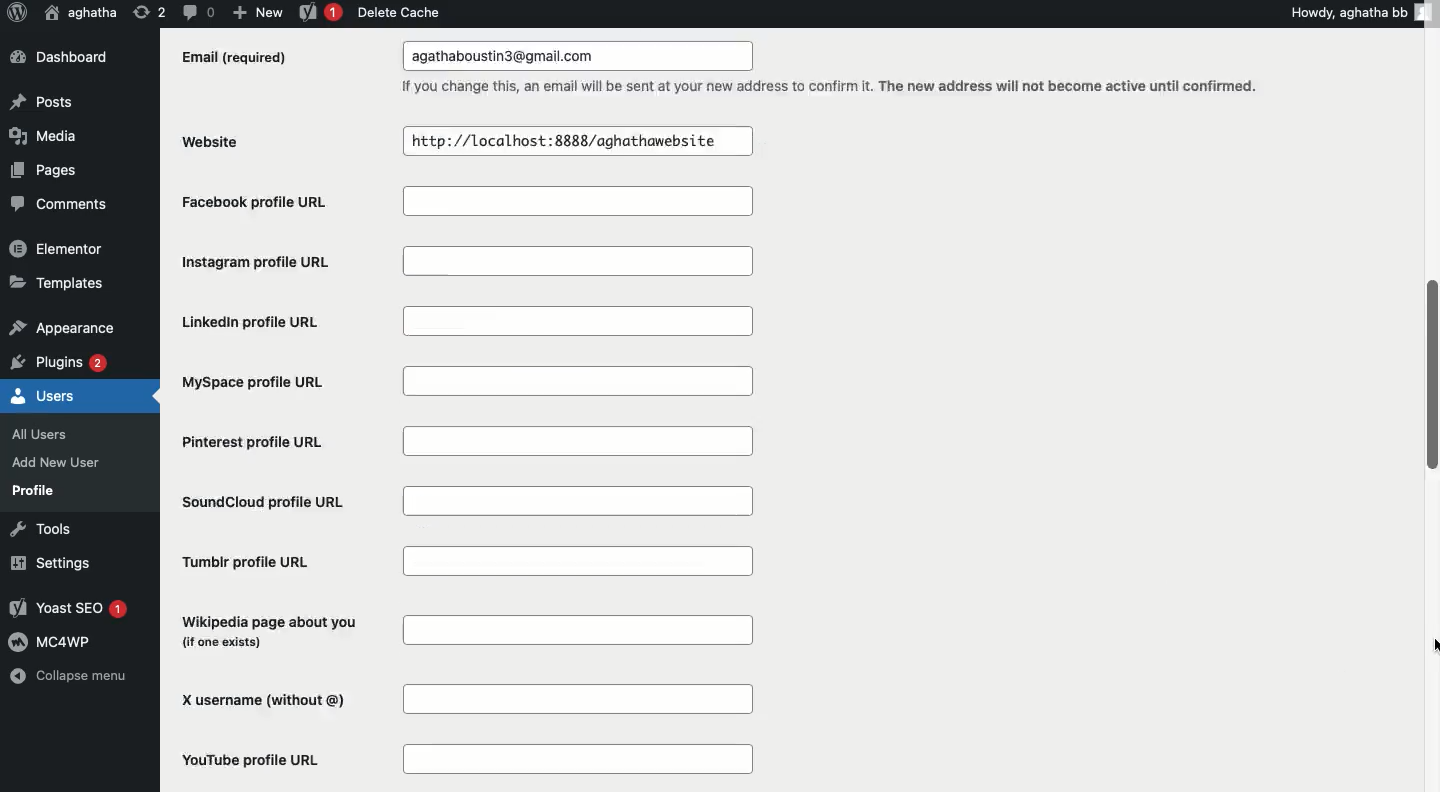 This screenshot has height=792, width=1440. Describe the element at coordinates (47, 563) in the screenshot. I see `Settings` at that location.